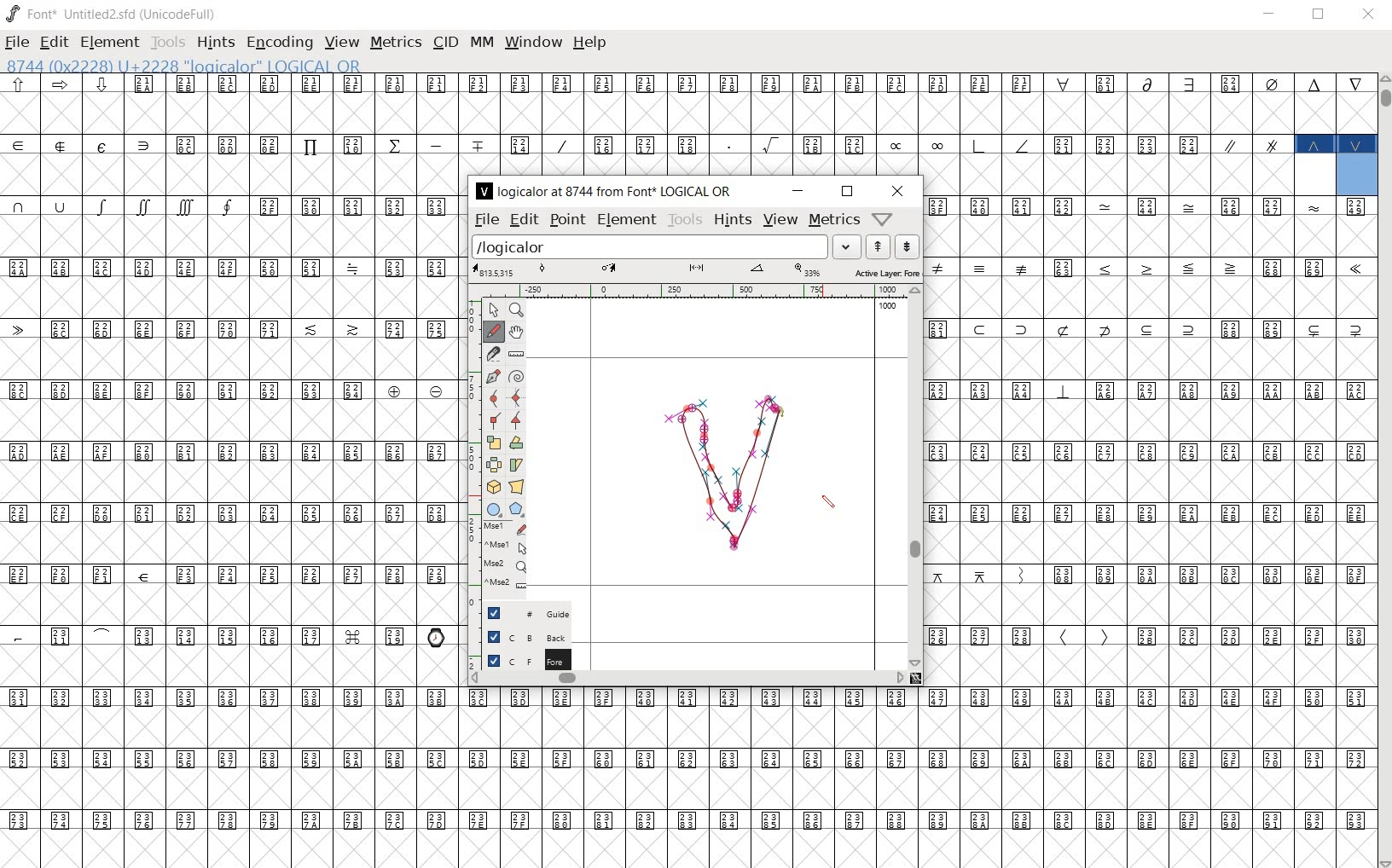 Image resolution: width=1392 pixels, height=868 pixels. Describe the element at coordinates (493, 310) in the screenshot. I see `POINTER` at that location.